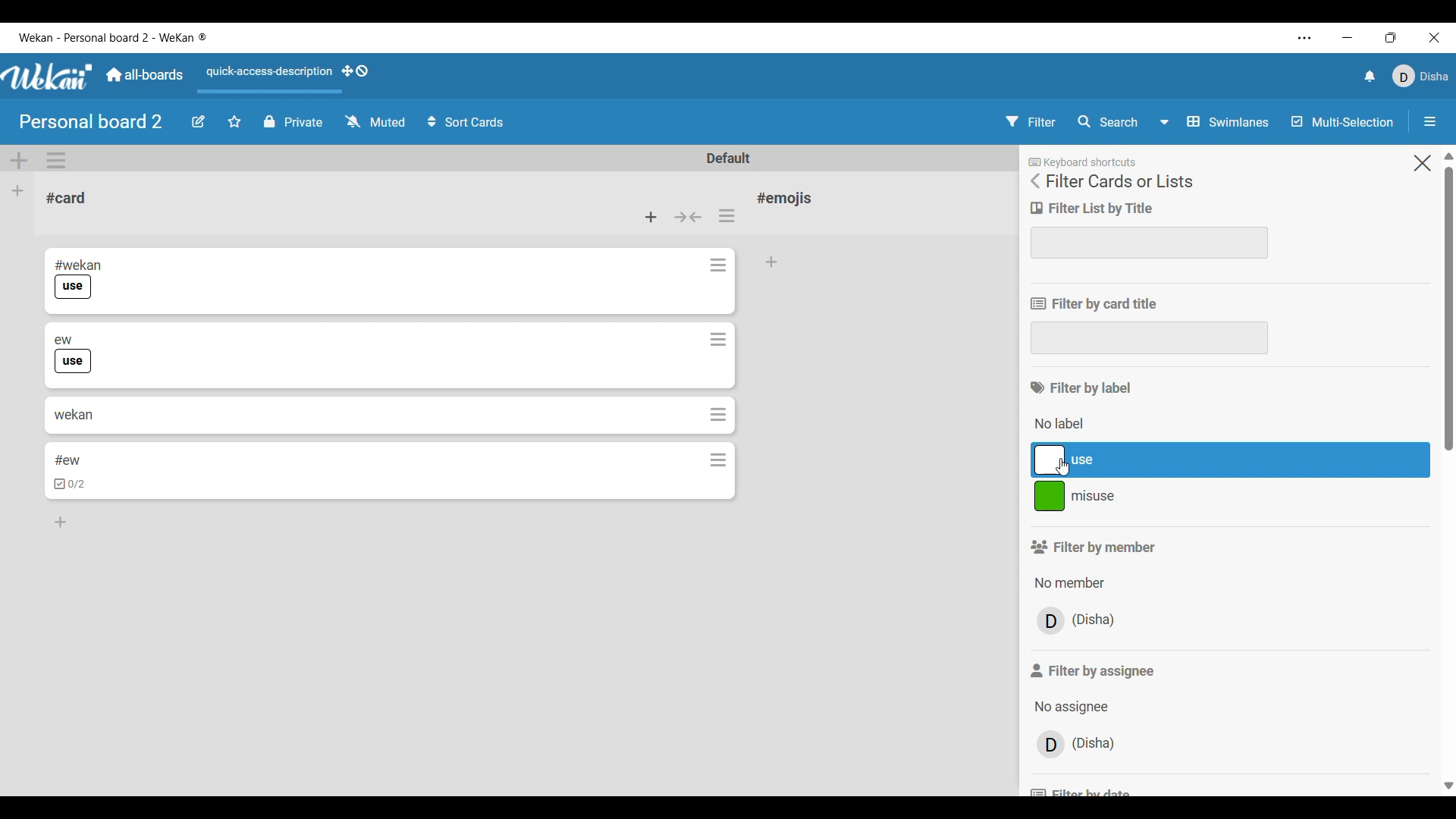 Image resolution: width=1456 pixels, height=819 pixels. Describe the element at coordinates (145, 74) in the screenshot. I see `Go to common dashboard` at that location.